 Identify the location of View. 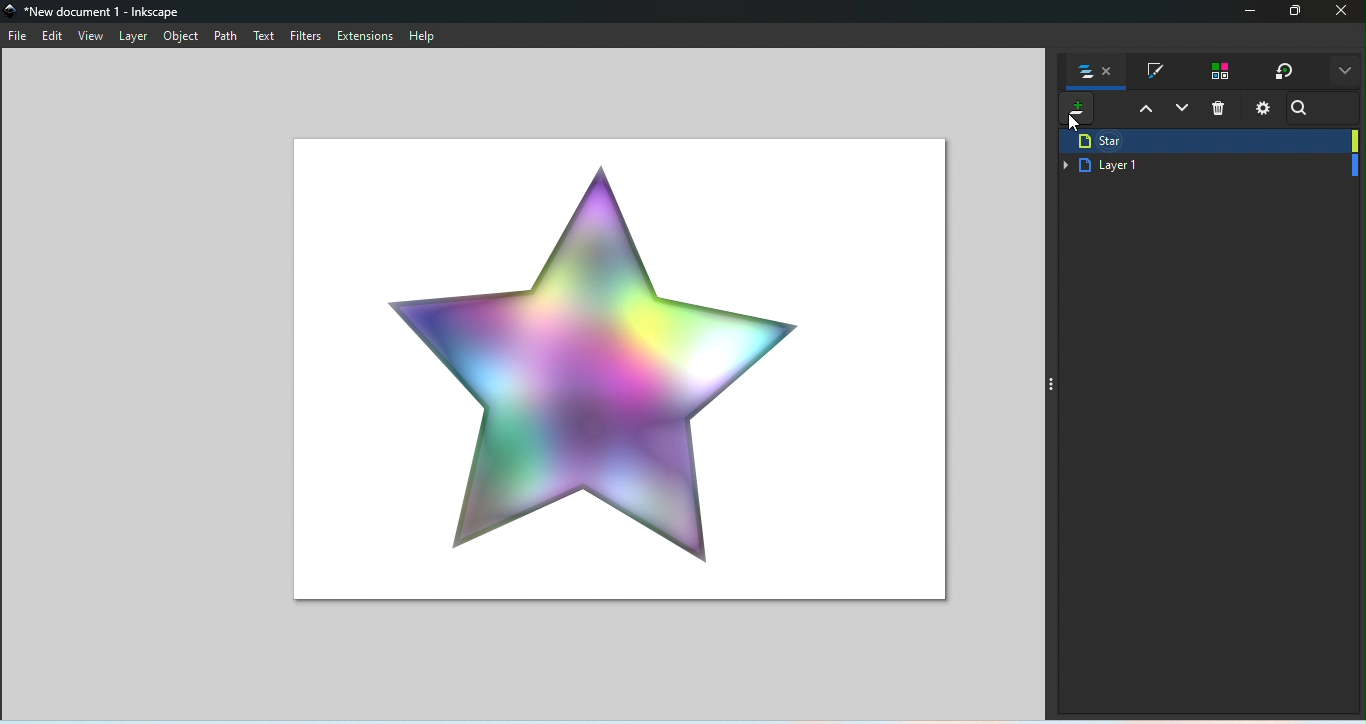
(94, 36).